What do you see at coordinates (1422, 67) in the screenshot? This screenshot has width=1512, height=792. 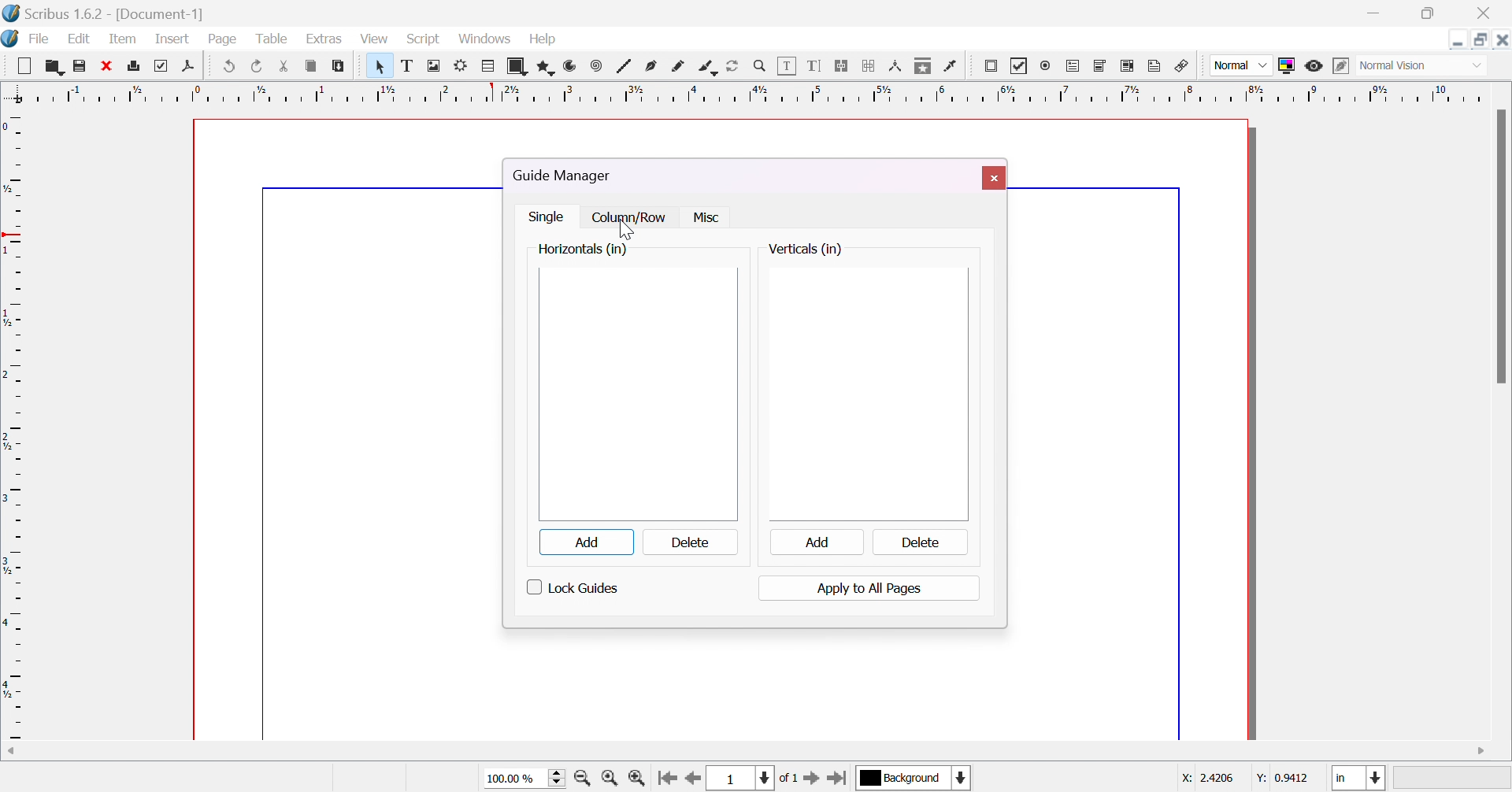 I see `Select visual appearance of display` at bounding box center [1422, 67].